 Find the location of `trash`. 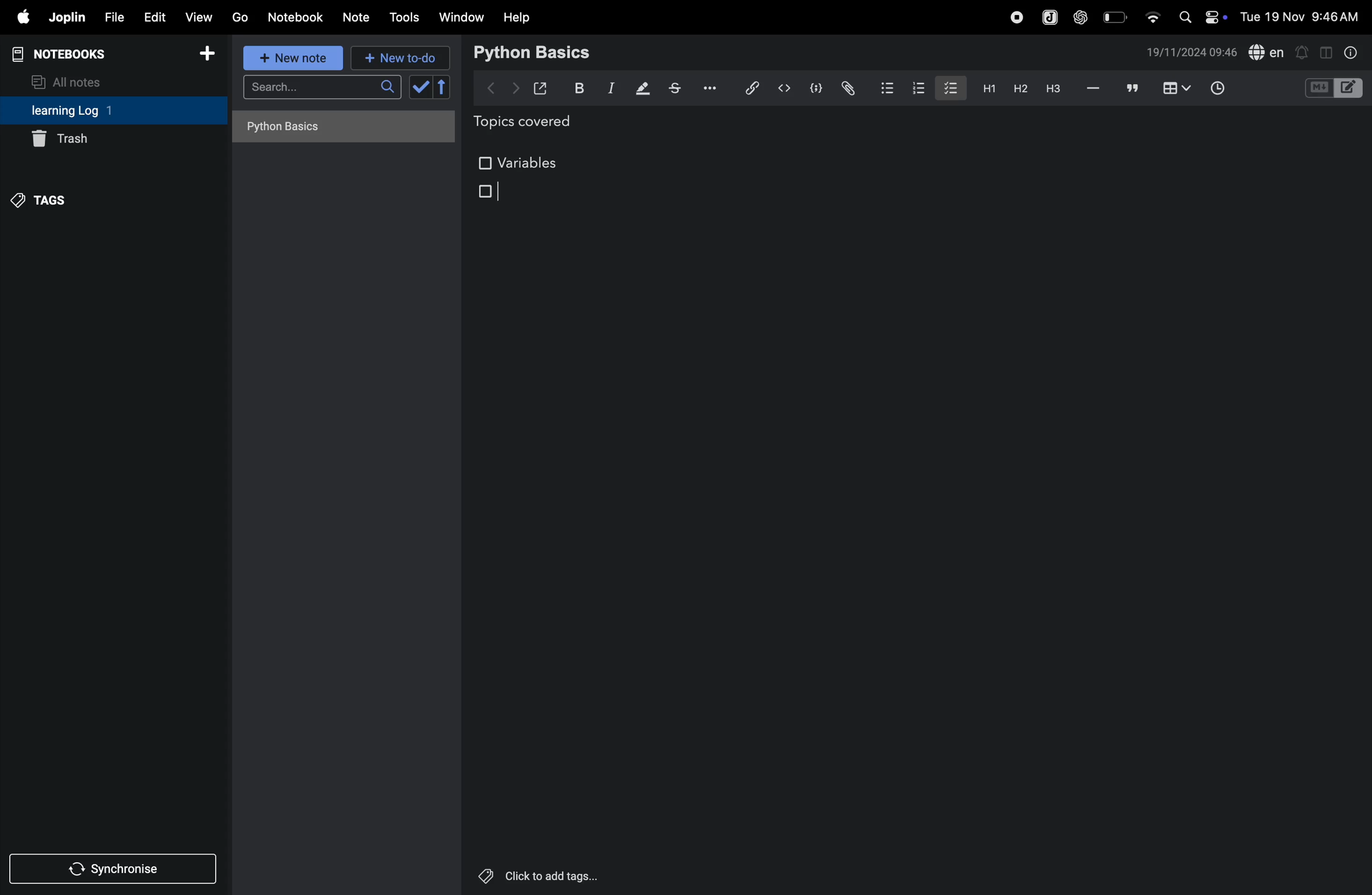

trash is located at coordinates (113, 140).